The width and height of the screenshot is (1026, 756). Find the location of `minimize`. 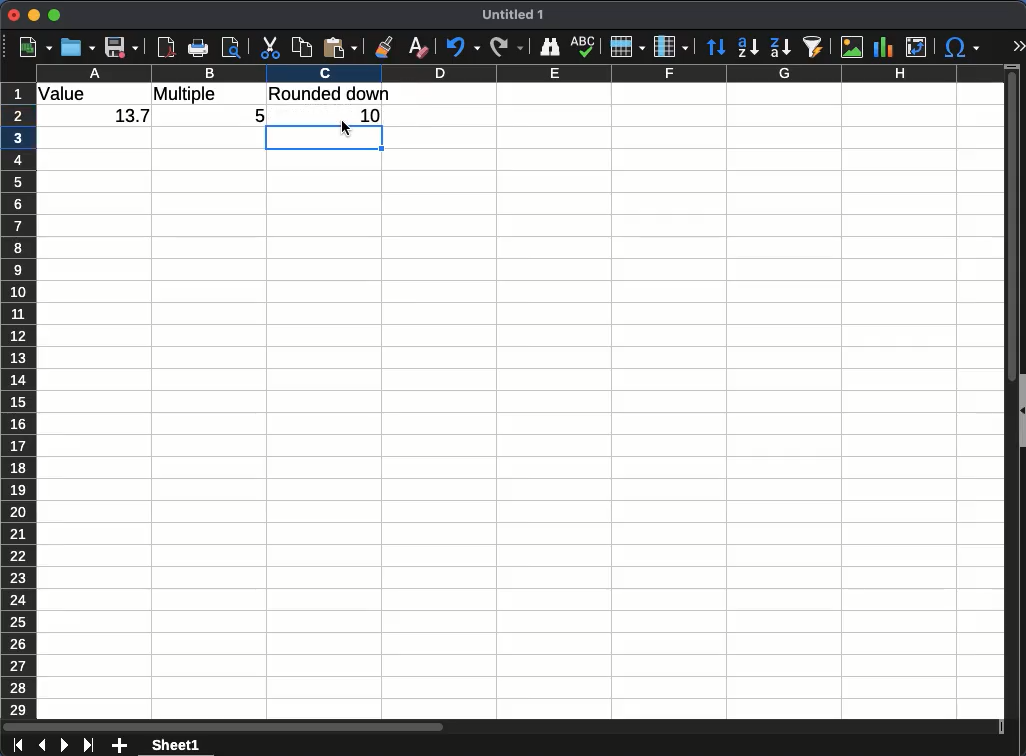

minimize is located at coordinates (35, 16).